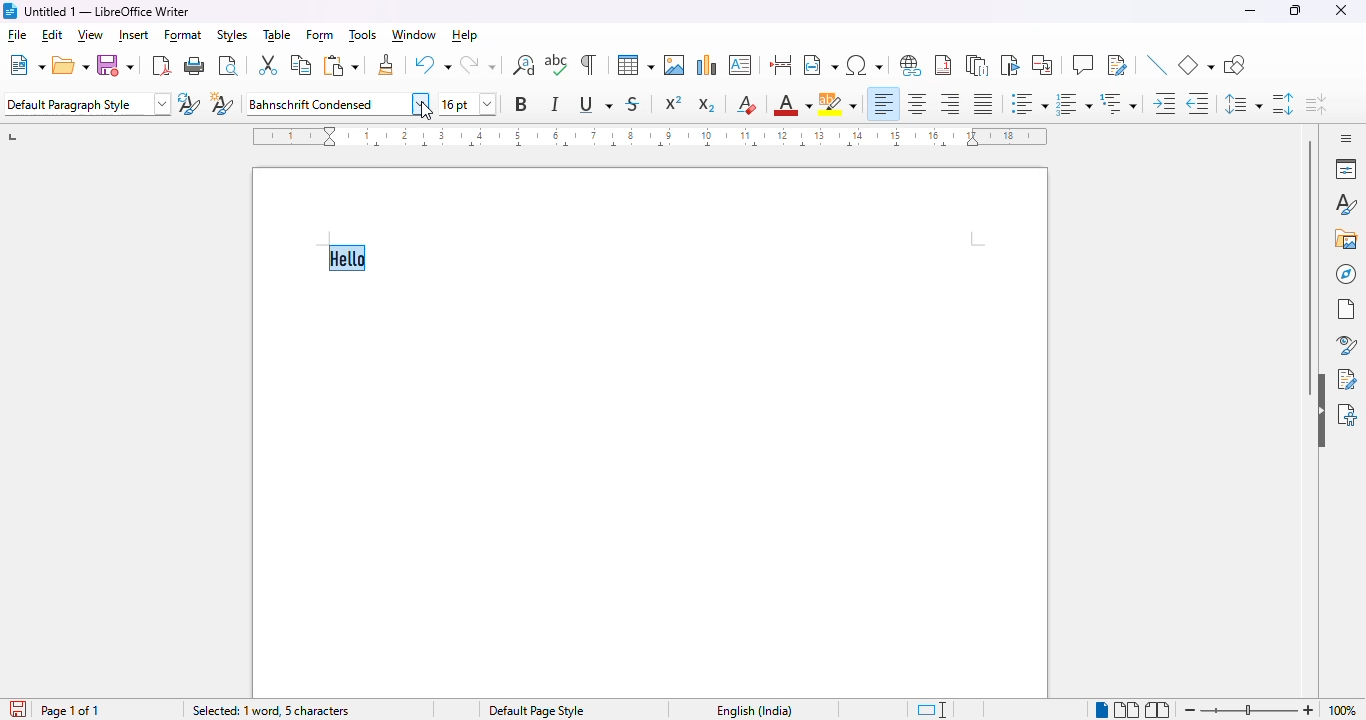  What do you see at coordinates (18, 37) in the screenshot?
I see `file` at bounding box center [18, 37].